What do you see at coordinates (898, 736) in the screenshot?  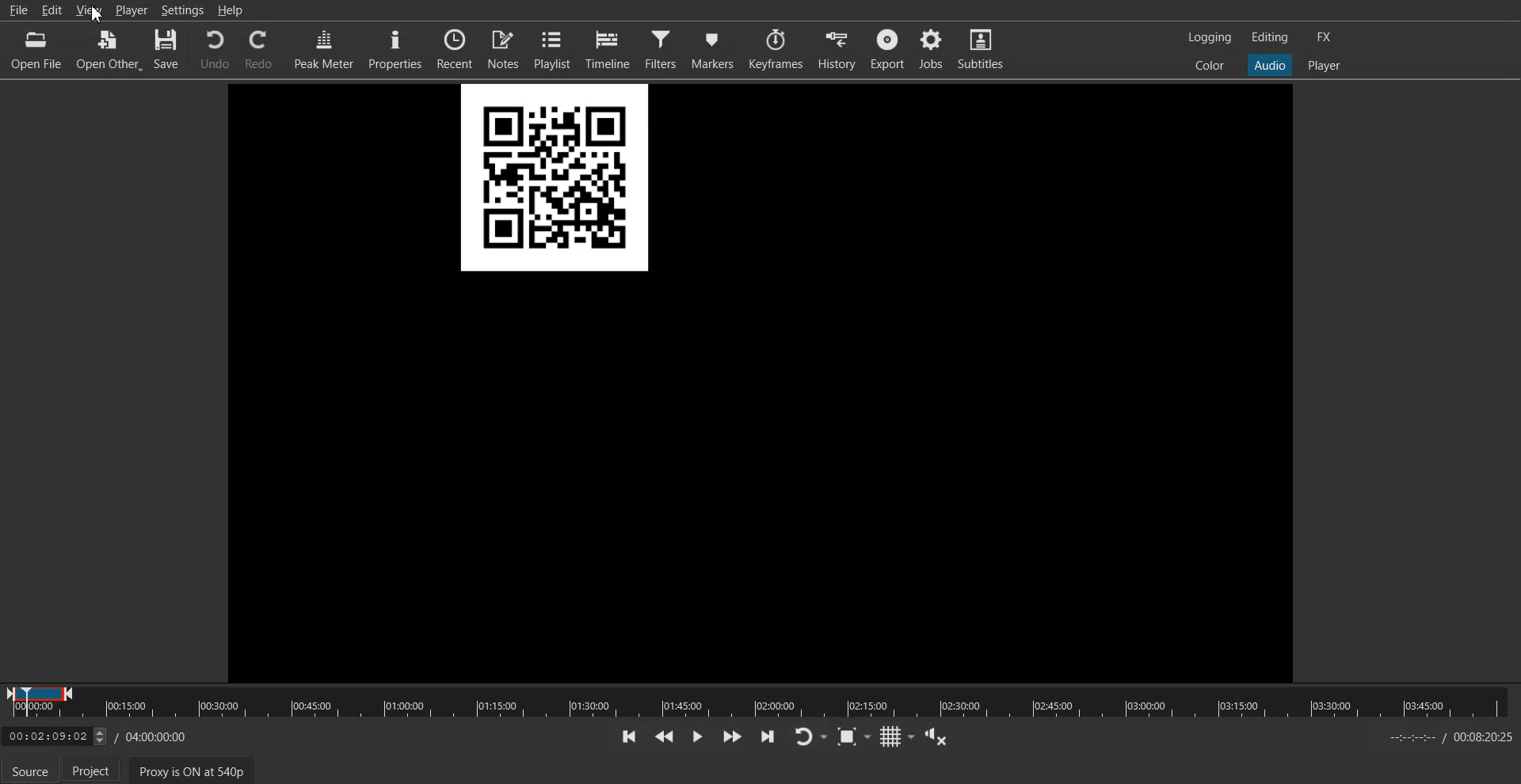 I see `Toggle grid display on the player` at bounding box center [898, 736].